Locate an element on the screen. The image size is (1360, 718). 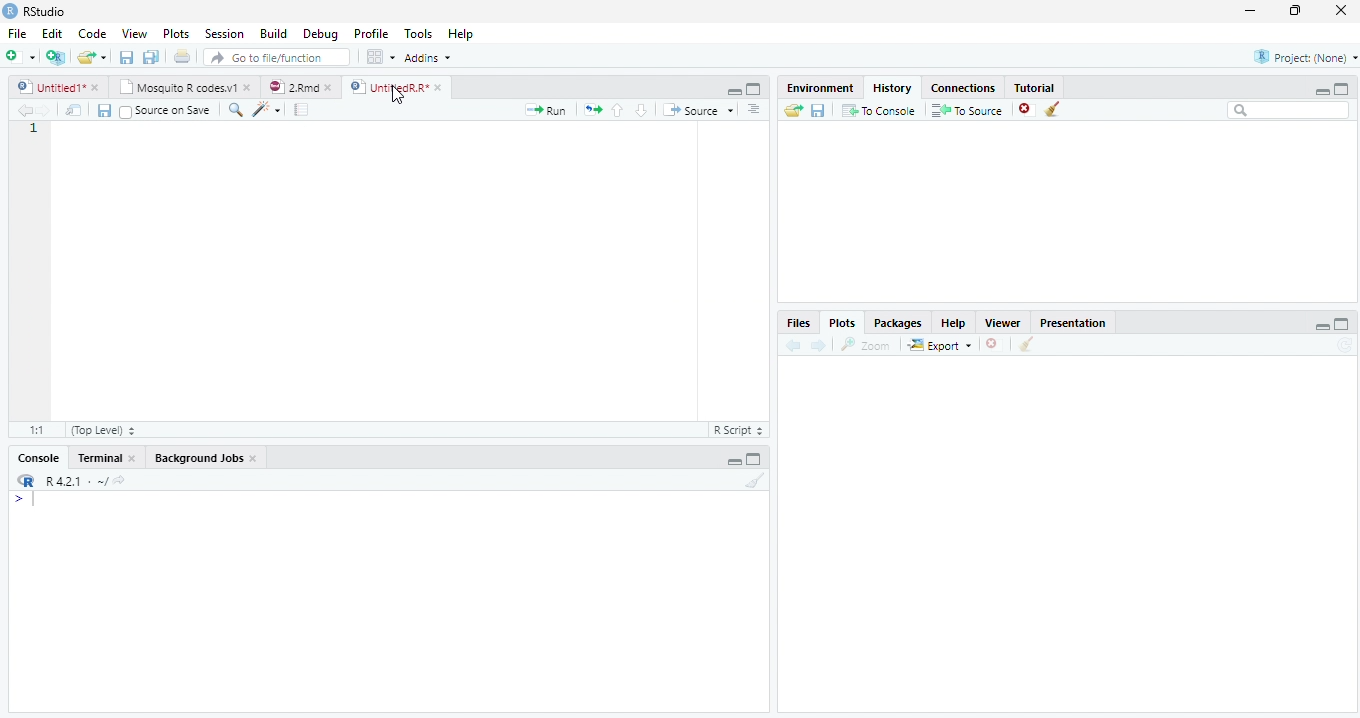
R 4.2.1 is located at coordinates (70, 482).